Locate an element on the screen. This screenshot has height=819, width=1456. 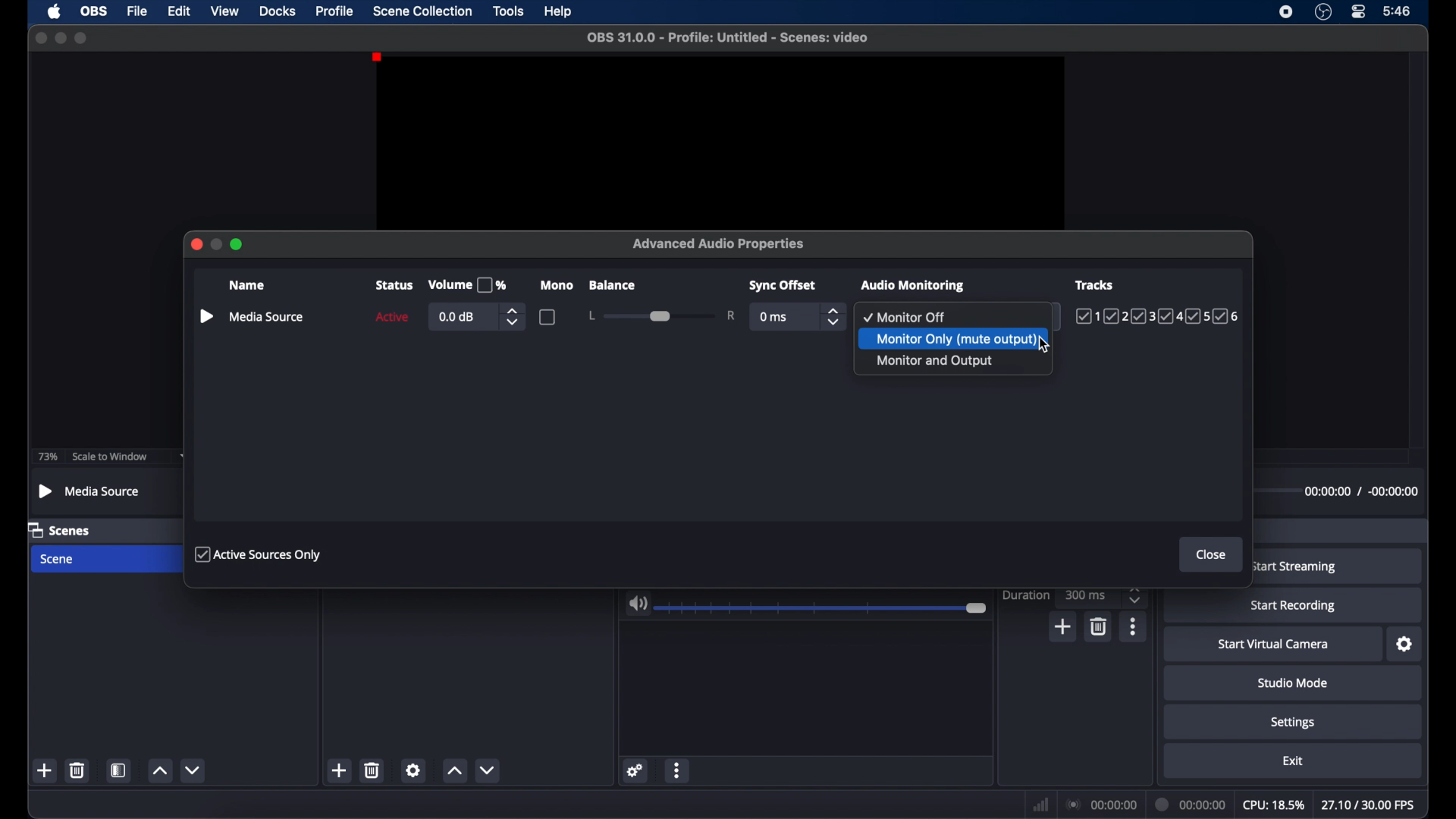
monitor off is located at coordinates (906, 317).